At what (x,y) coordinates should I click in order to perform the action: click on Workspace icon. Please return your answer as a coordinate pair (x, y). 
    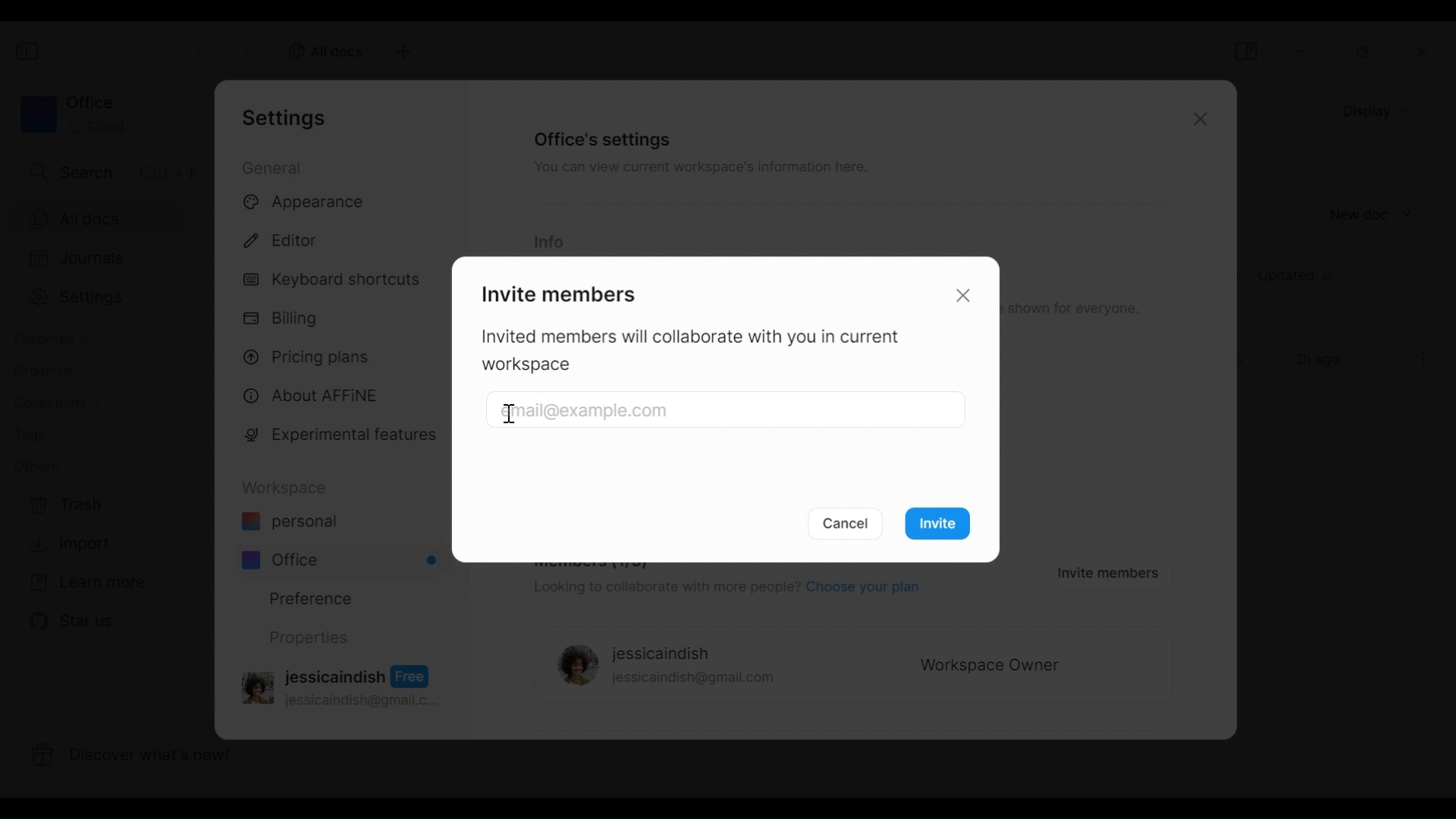
    Looking at the image, I should click on (72, 114).